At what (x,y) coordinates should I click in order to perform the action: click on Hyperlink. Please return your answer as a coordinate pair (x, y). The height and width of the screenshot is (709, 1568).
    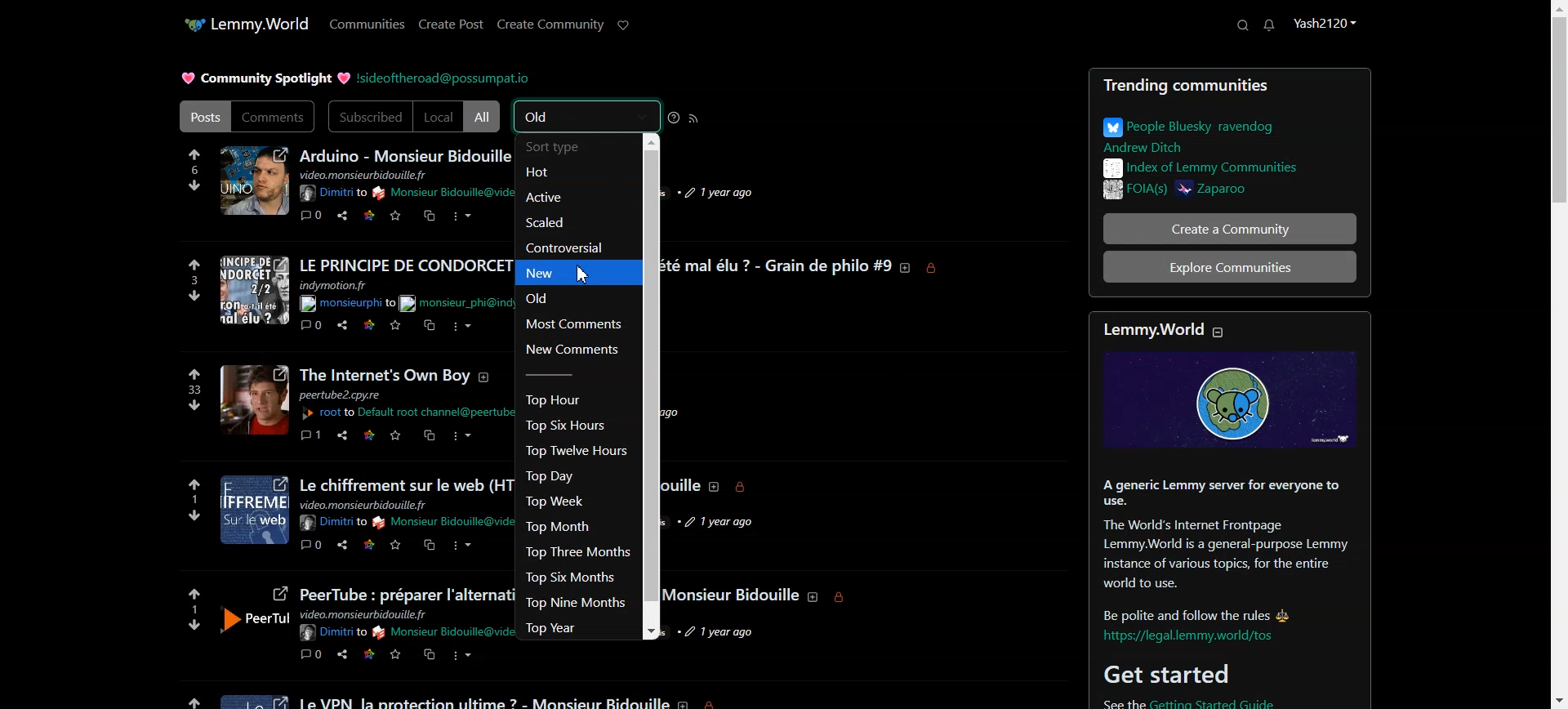
    Looking at the image, I should click on (457, 302).